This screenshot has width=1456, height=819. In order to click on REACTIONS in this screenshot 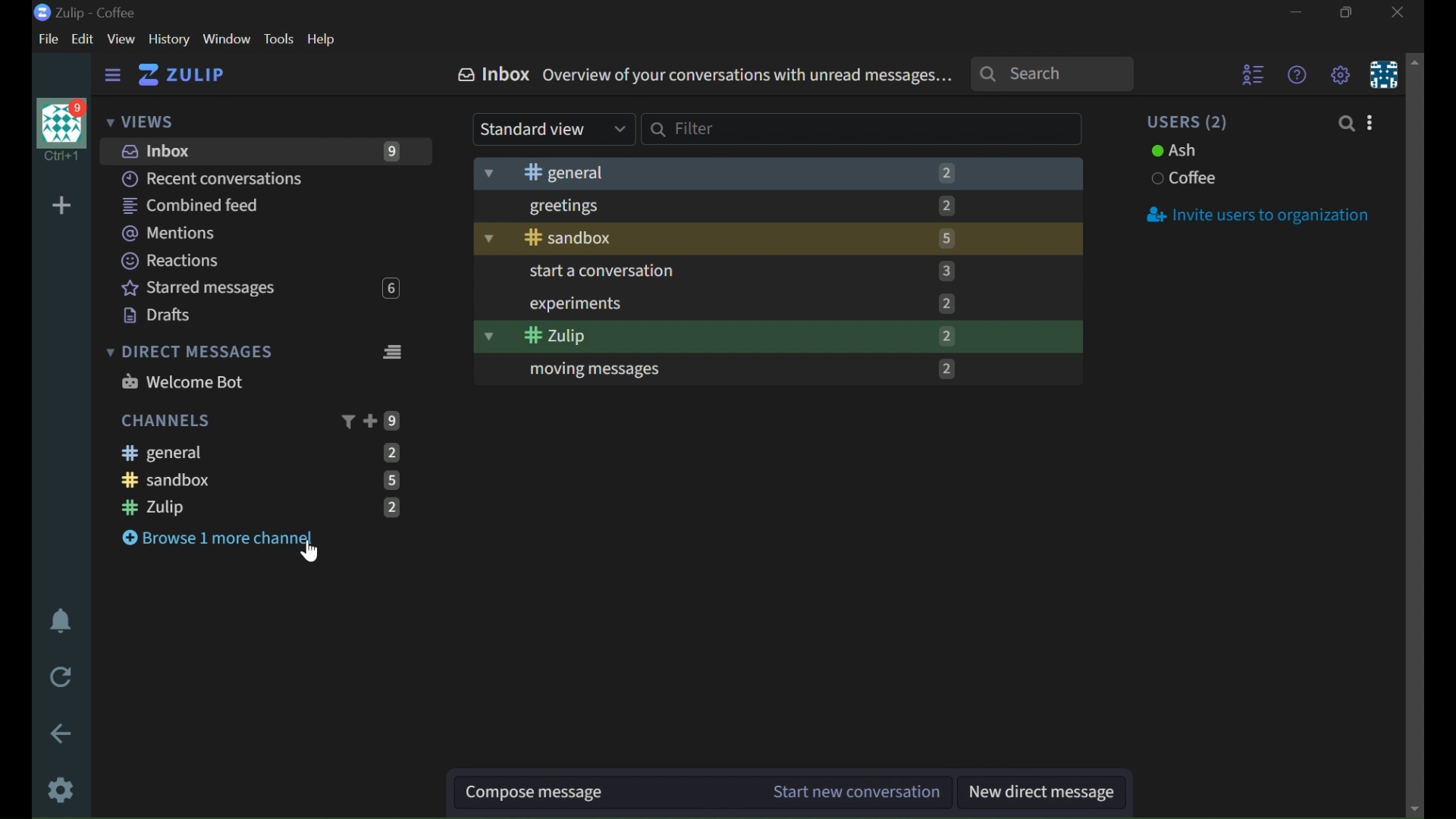, I will do `click(244, 260)`.